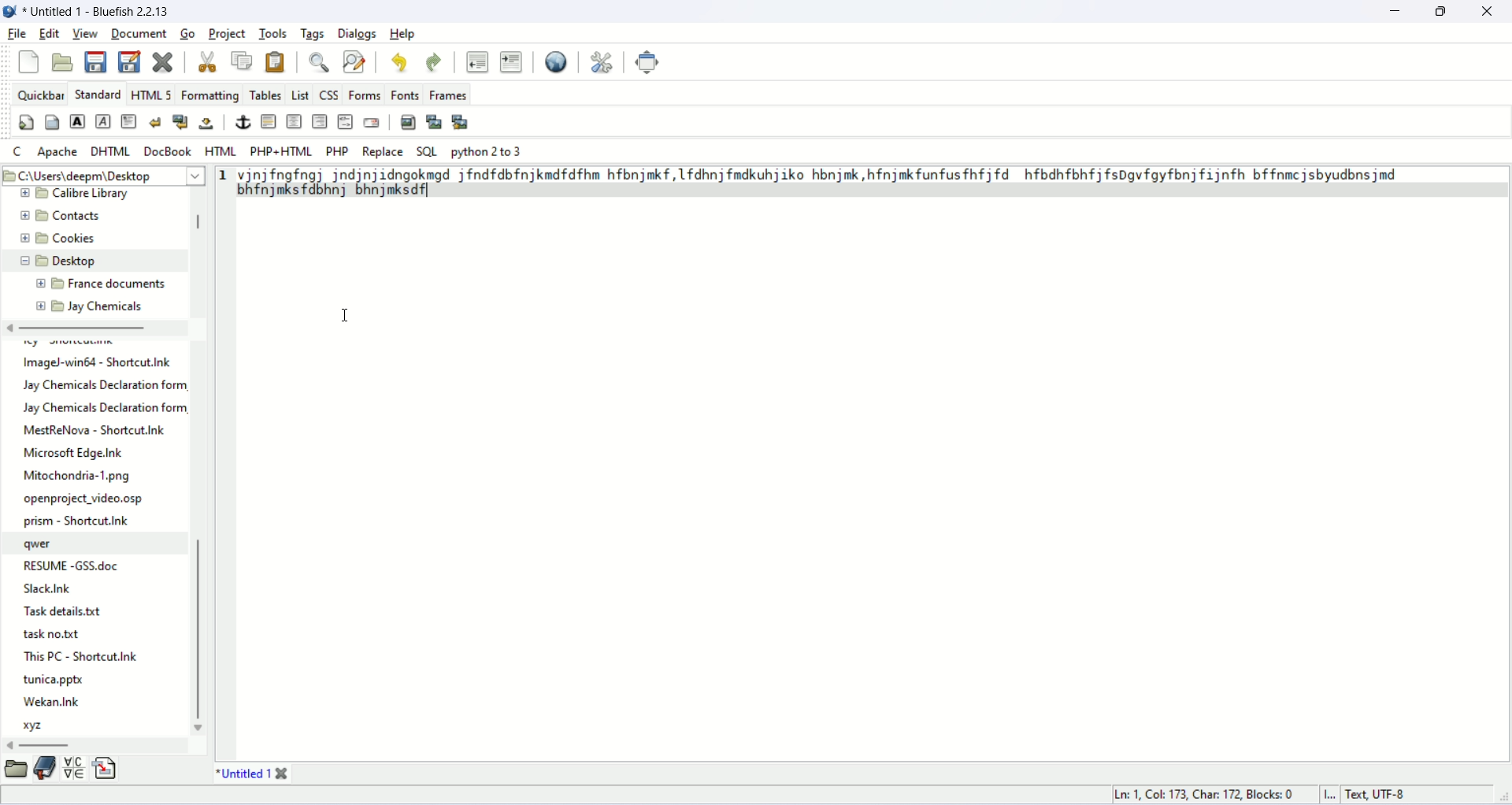  I want to click on Ln: 1, Cok 173, Char: 172, Blocks: 0, so click(1207, 792).